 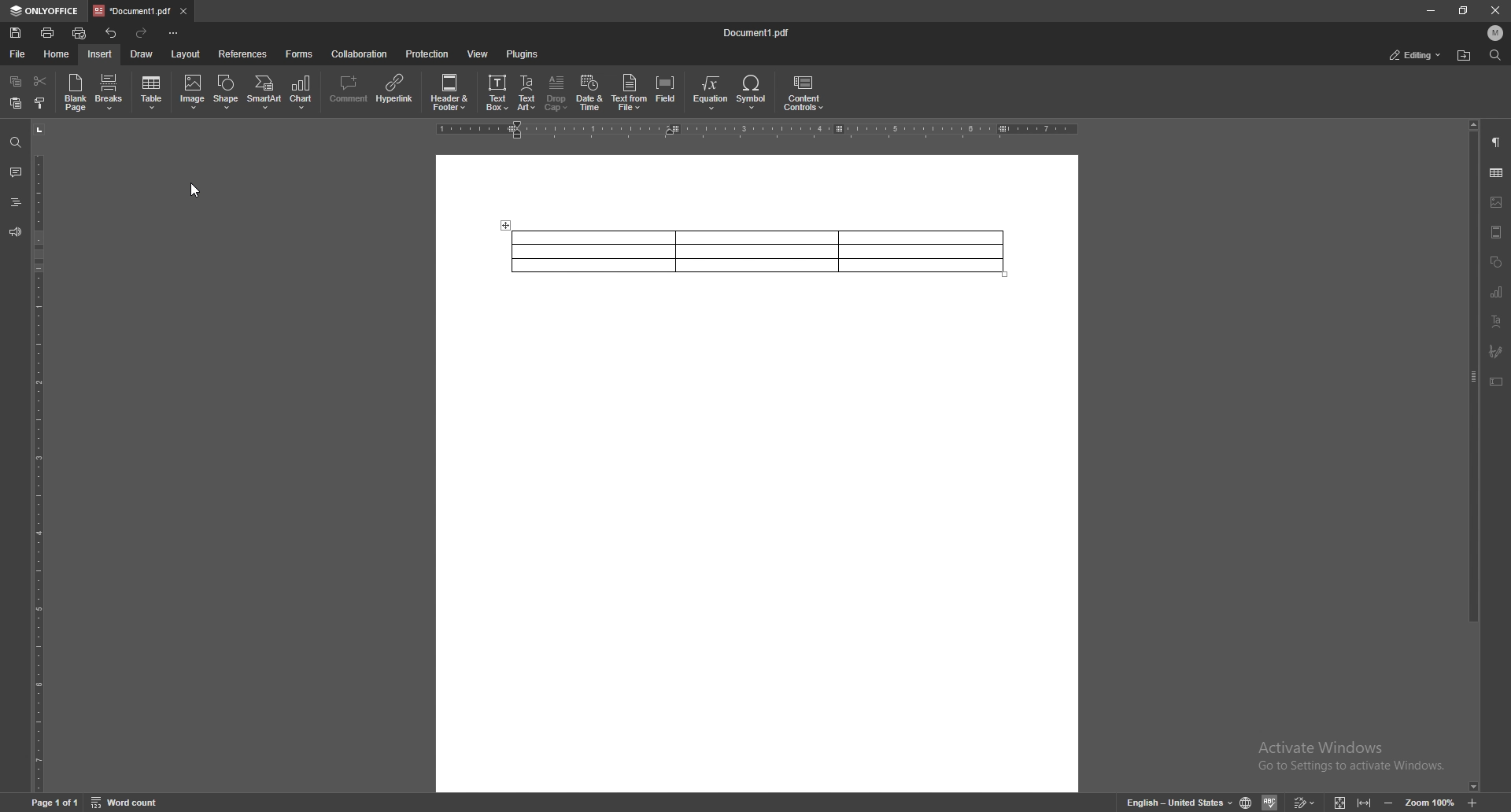 What do you see at coordinates (1463, 9) in the screenshot?
I see `resize` at bounding box center [1463, 9].